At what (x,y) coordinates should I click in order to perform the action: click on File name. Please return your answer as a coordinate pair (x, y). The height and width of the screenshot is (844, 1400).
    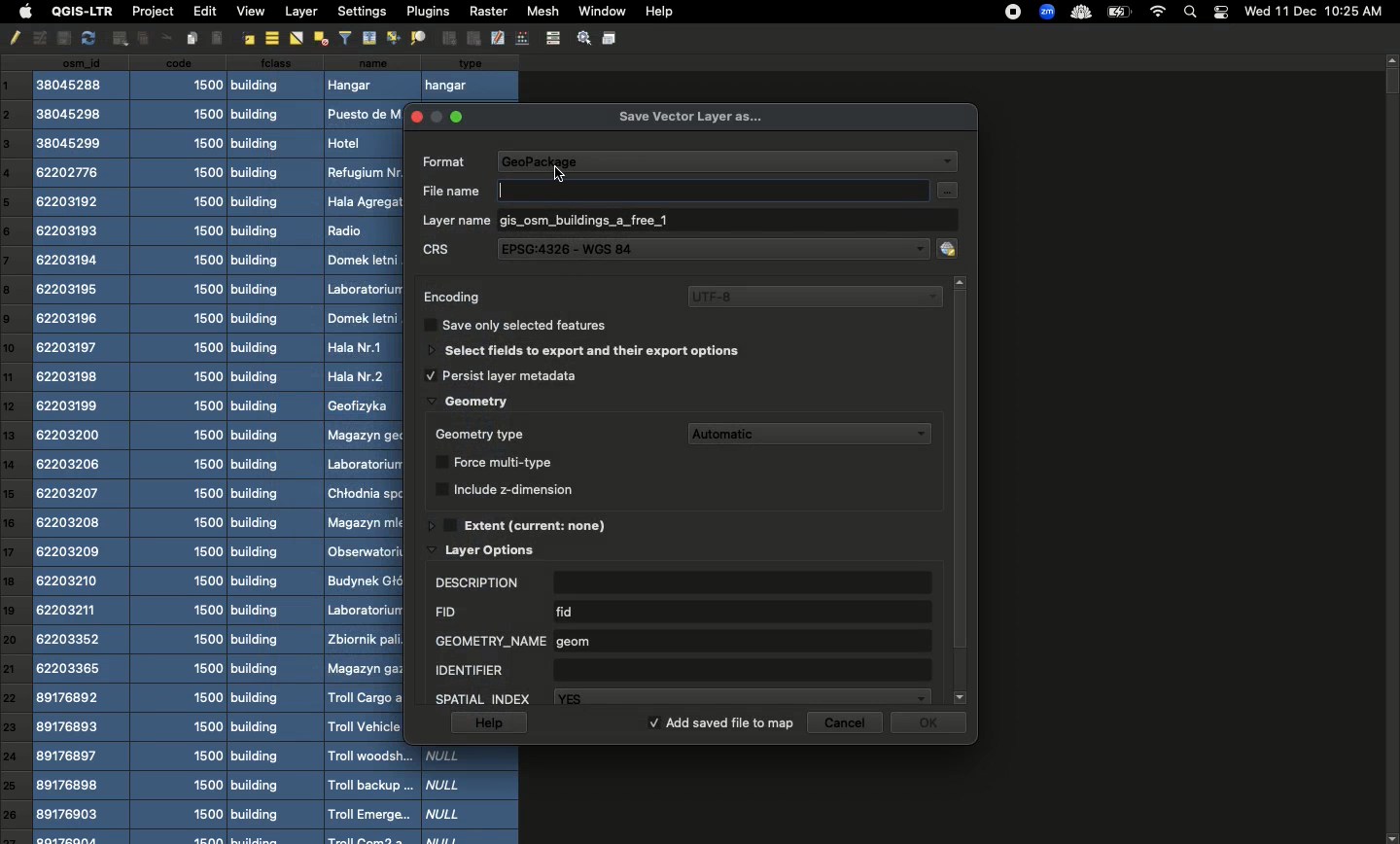
    Looking at the image, I should click on (698, 189).